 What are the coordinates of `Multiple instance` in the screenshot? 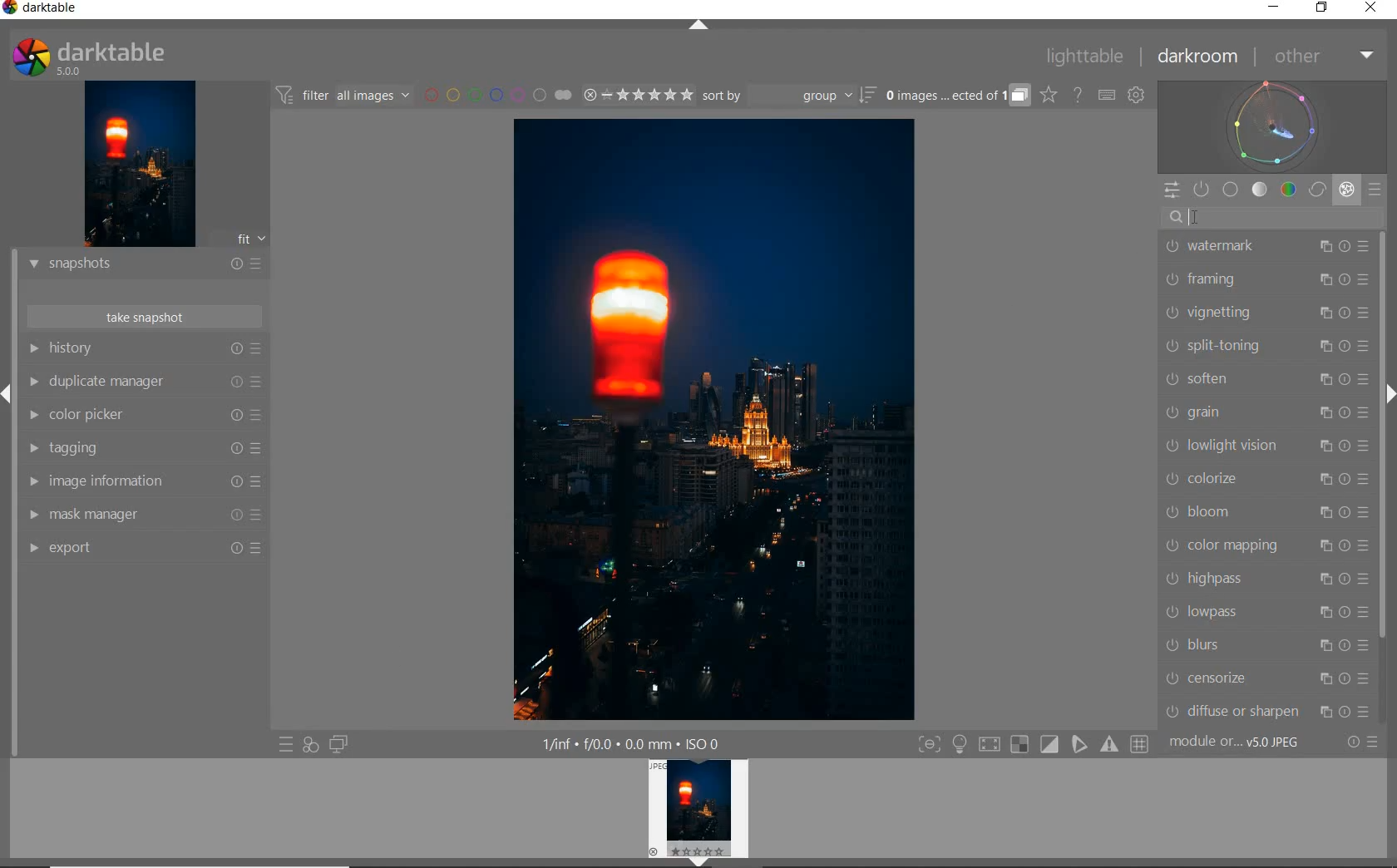 It's located at (1323, 548).